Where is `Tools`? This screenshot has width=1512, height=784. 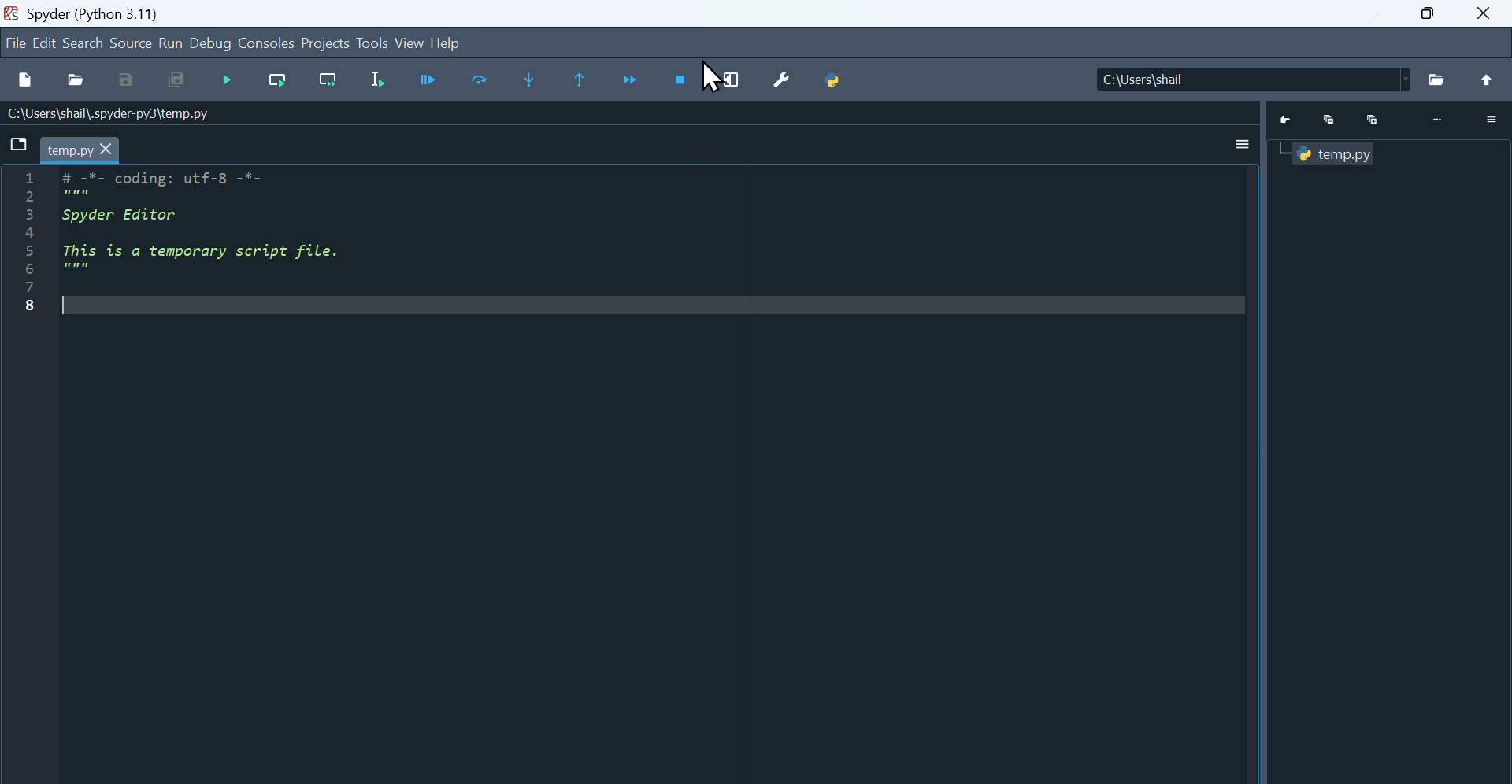 Tools is located at coordinates (372, 45).